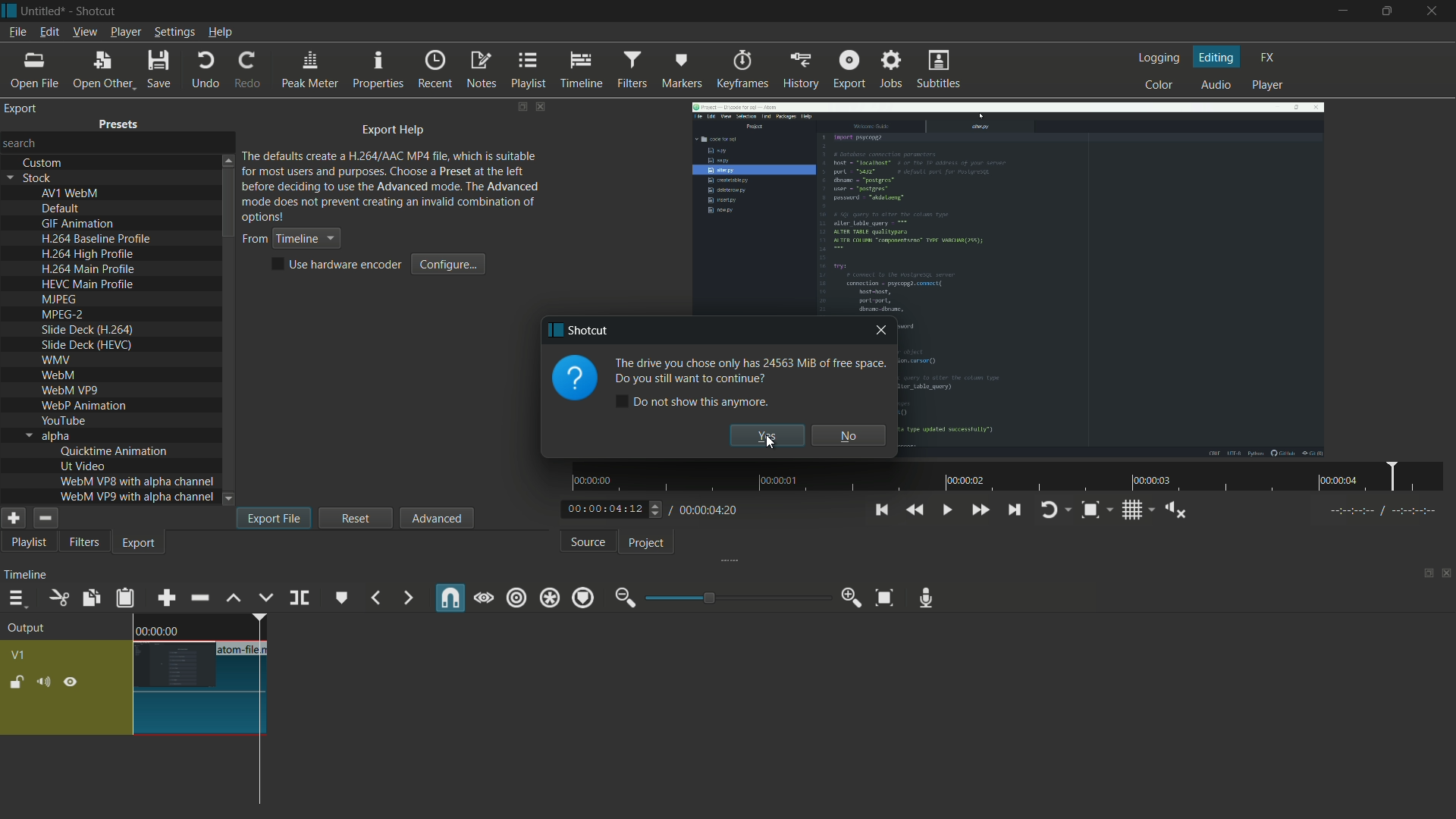 The width and height of the screenshot is (1456, 819). What do you see at coordinates (140, 545) in the screenshot?
I see `export` at bounding box center [140, 545].